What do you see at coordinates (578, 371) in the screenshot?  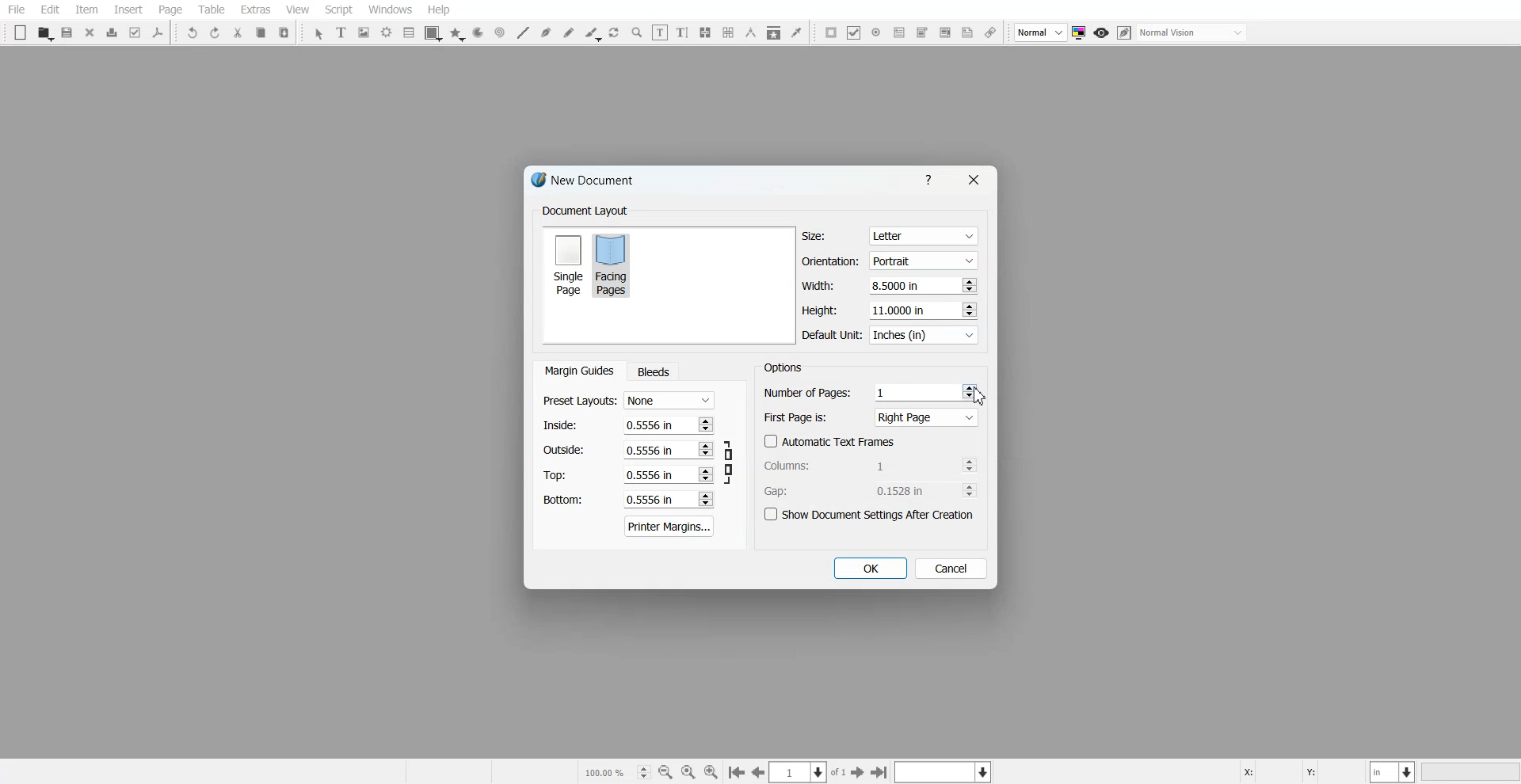 I see `Margin Guides` at bounding box center [578, 371].